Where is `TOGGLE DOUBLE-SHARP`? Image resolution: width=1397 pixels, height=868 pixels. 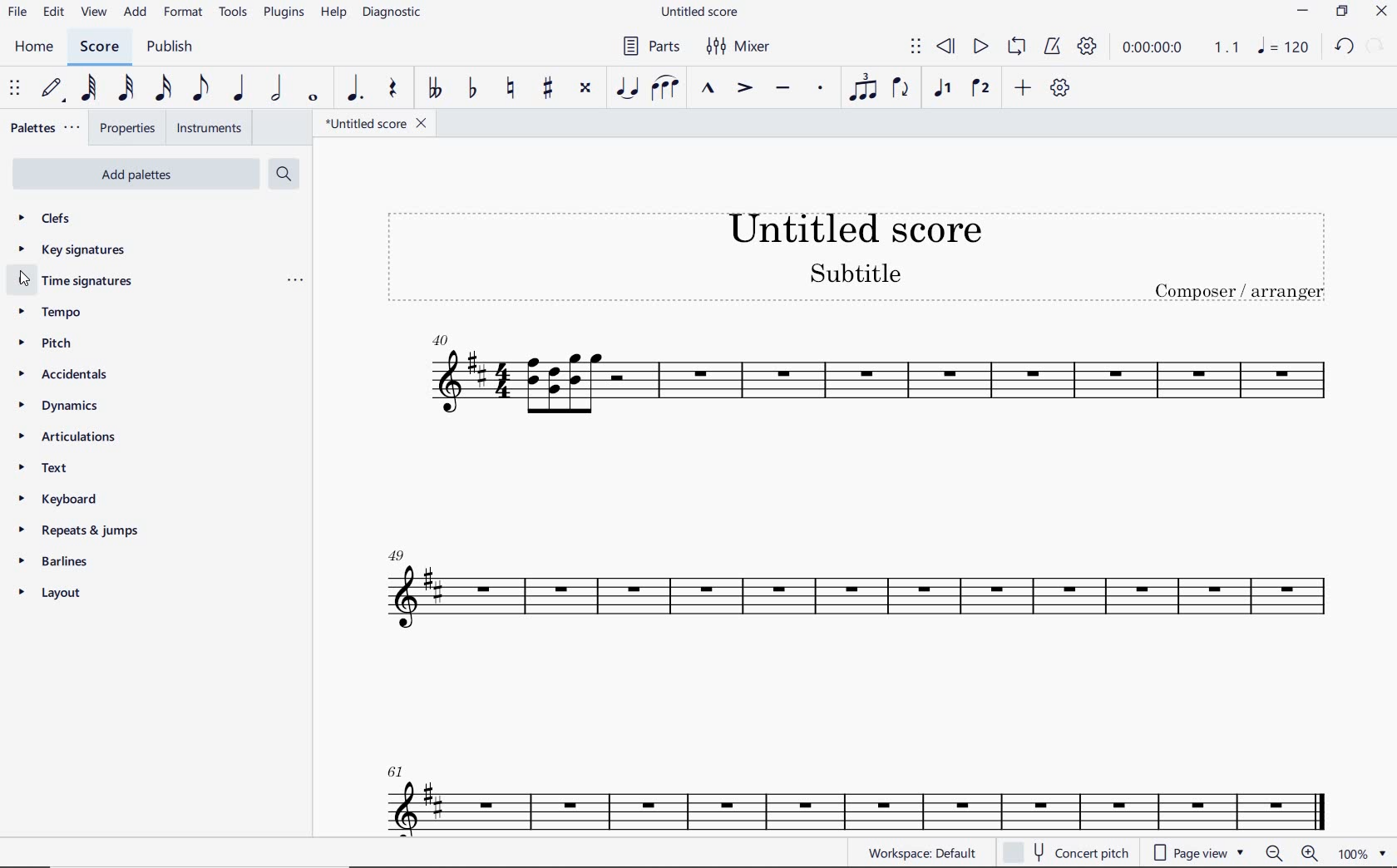
TOGGLE DOUBLE-SHARP is located at coordinates (585, 88).